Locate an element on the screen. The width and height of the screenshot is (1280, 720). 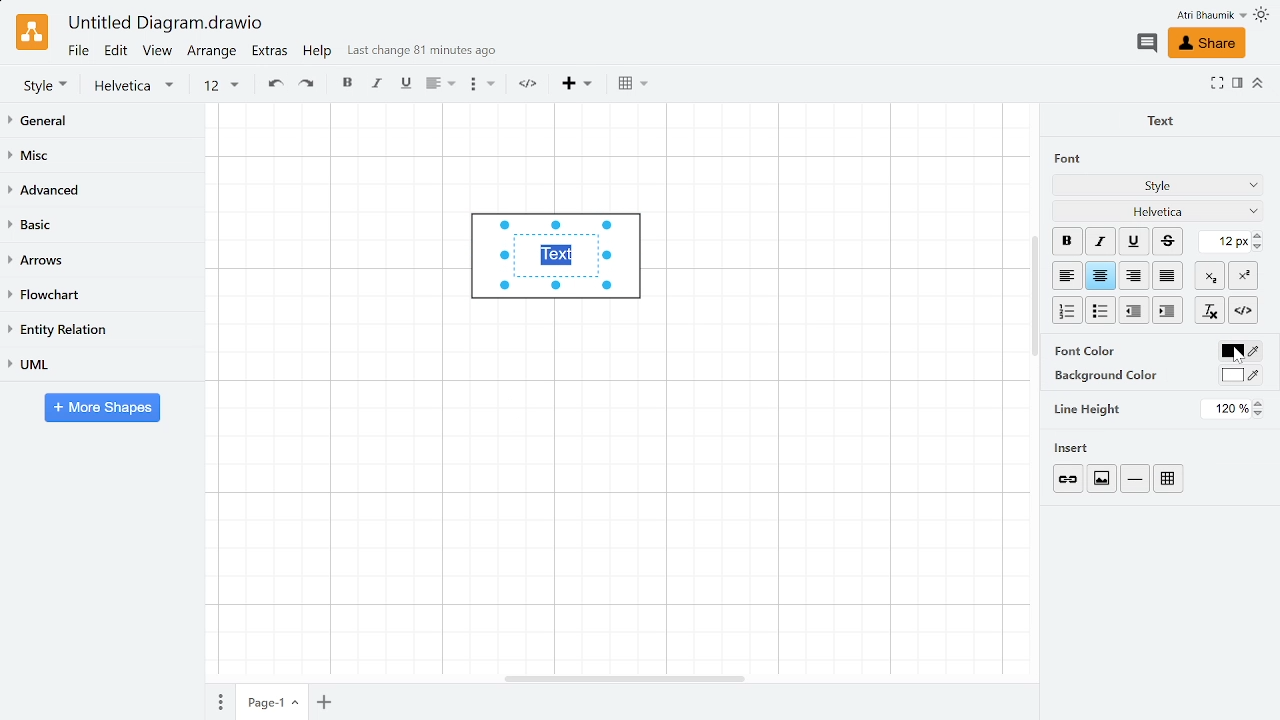
Misc is located at coordinates (103, 158).